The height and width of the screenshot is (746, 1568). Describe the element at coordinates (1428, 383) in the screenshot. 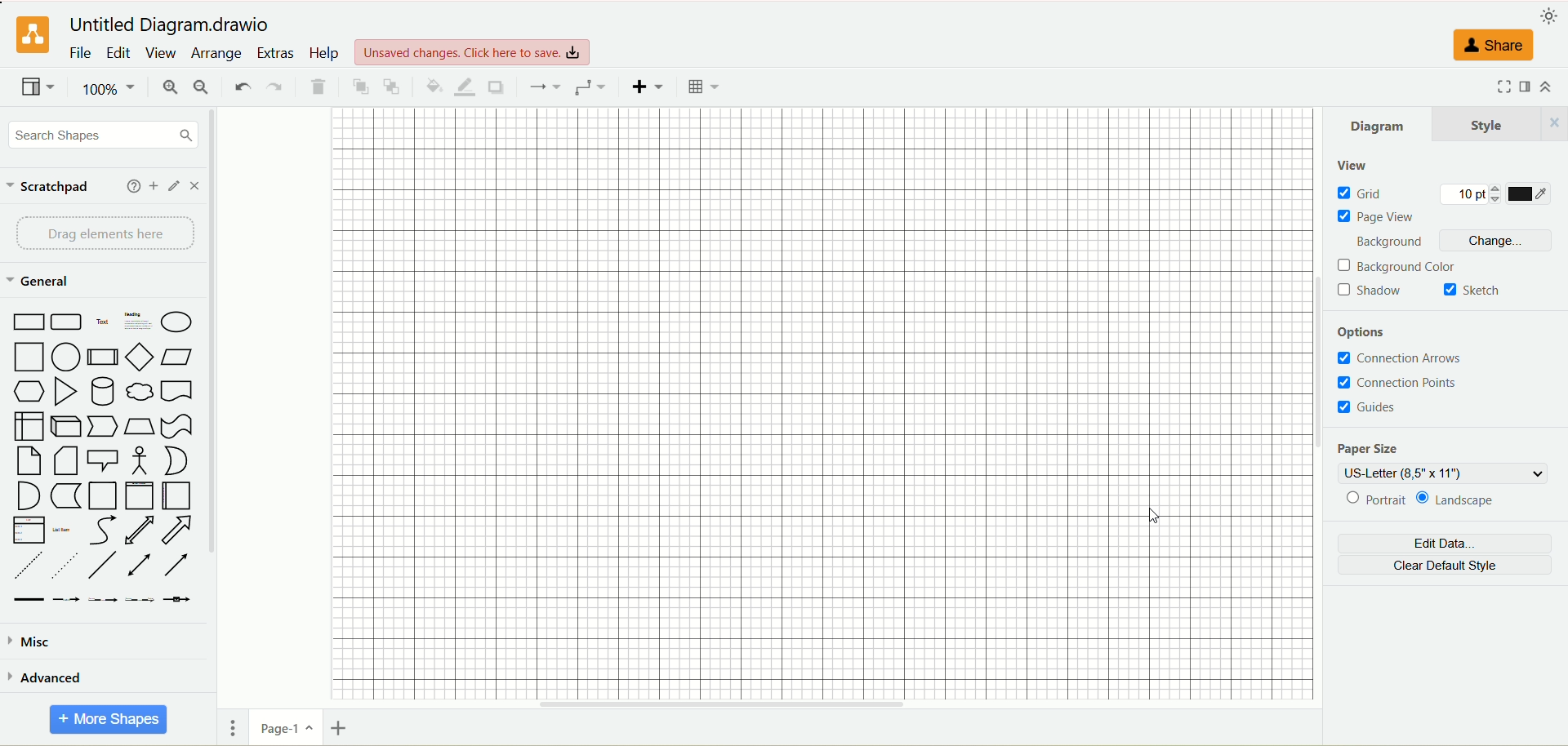

I see `connection points` at that location.